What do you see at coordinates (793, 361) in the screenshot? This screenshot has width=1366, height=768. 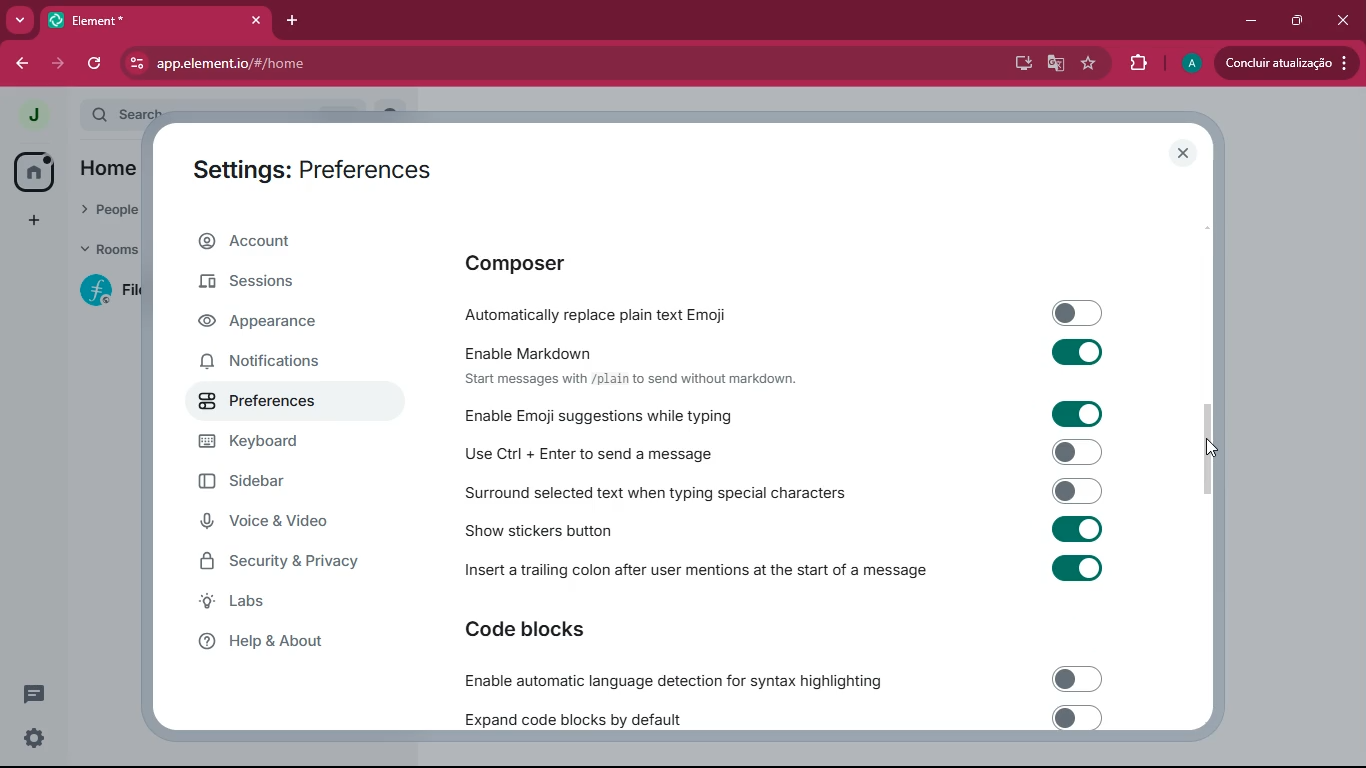 I see `Enable Markdown
Start messages with /plain to send without markdown.` at bounding box center [793, 361].